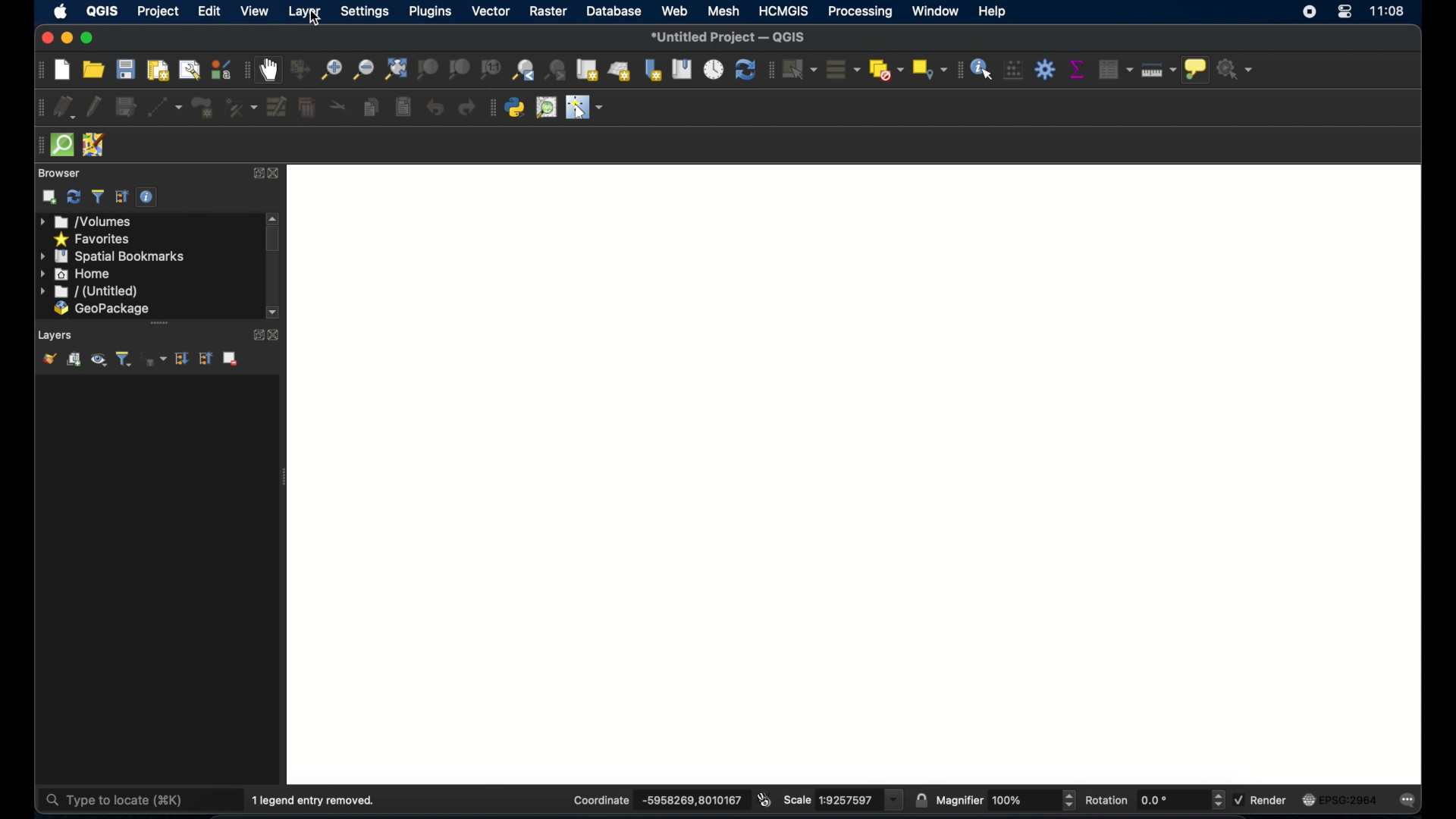 Image resolution: width=1456 pixels, height=819 pixels. What do you see at coordinates (921, 799) in the screenshot?
I see `lock scale` at bounding box center [921, 799].